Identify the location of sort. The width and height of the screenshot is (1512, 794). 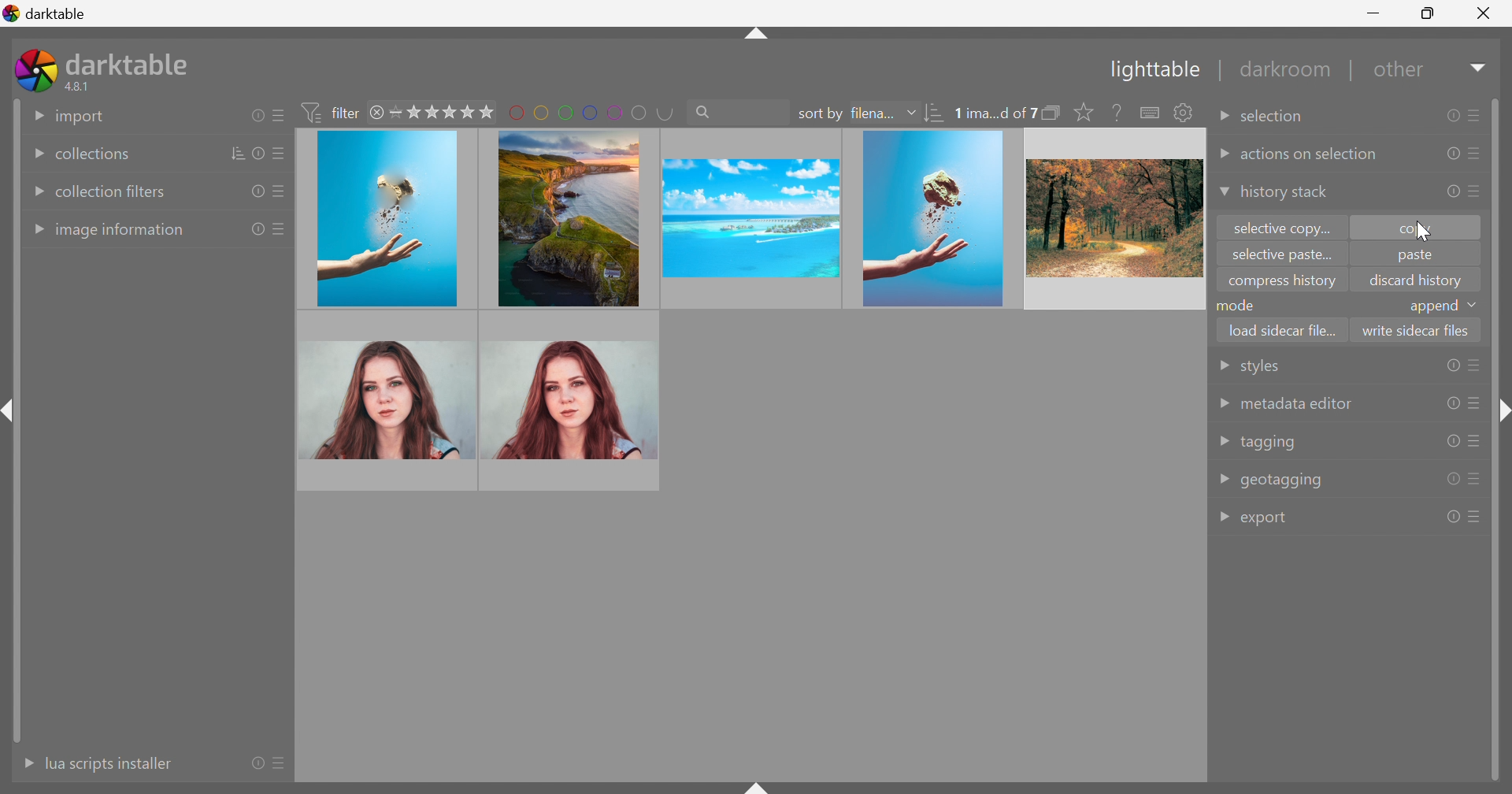
(239, 153).